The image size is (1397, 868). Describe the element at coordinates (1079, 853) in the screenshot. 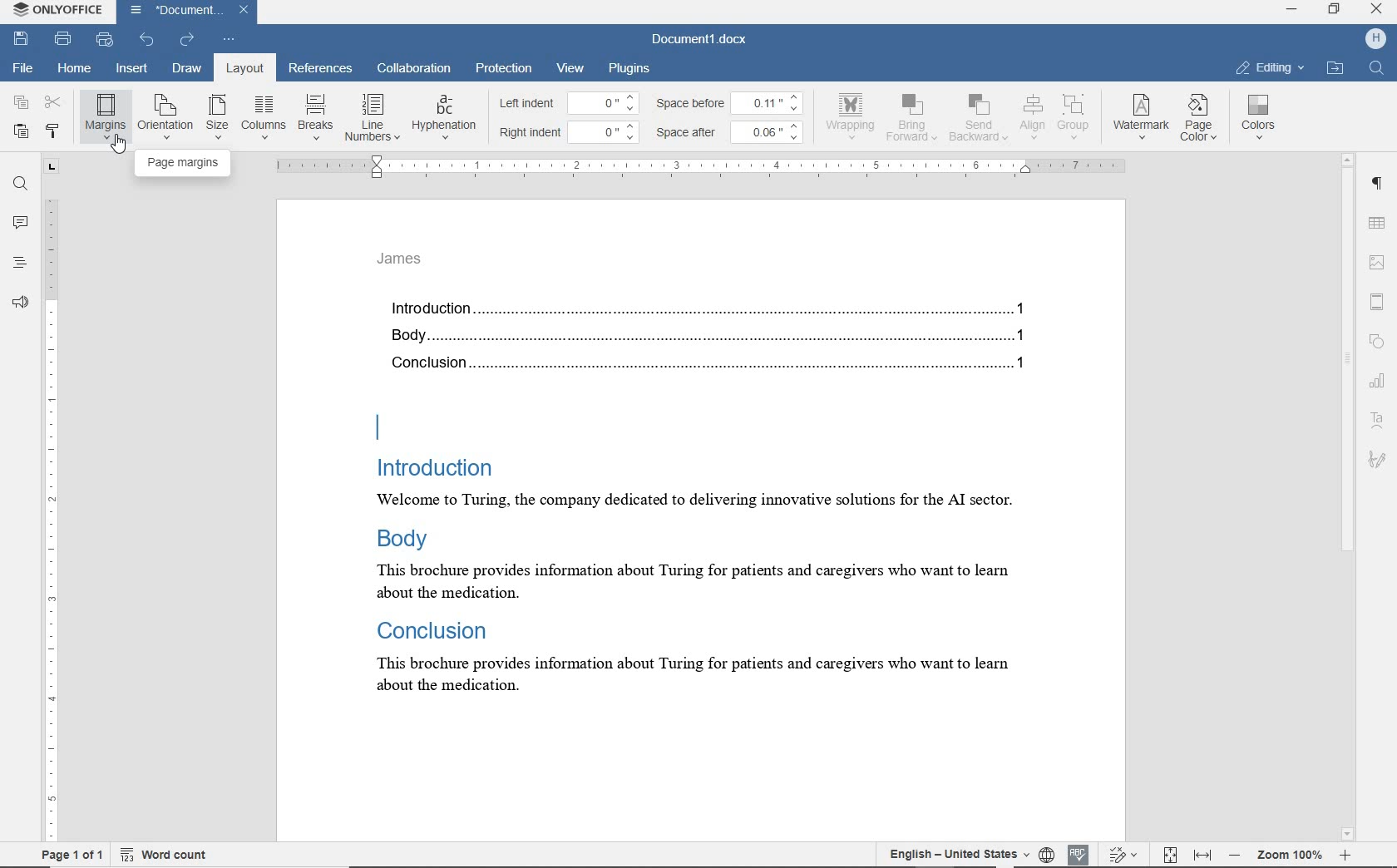

I see `spell check` at that location.